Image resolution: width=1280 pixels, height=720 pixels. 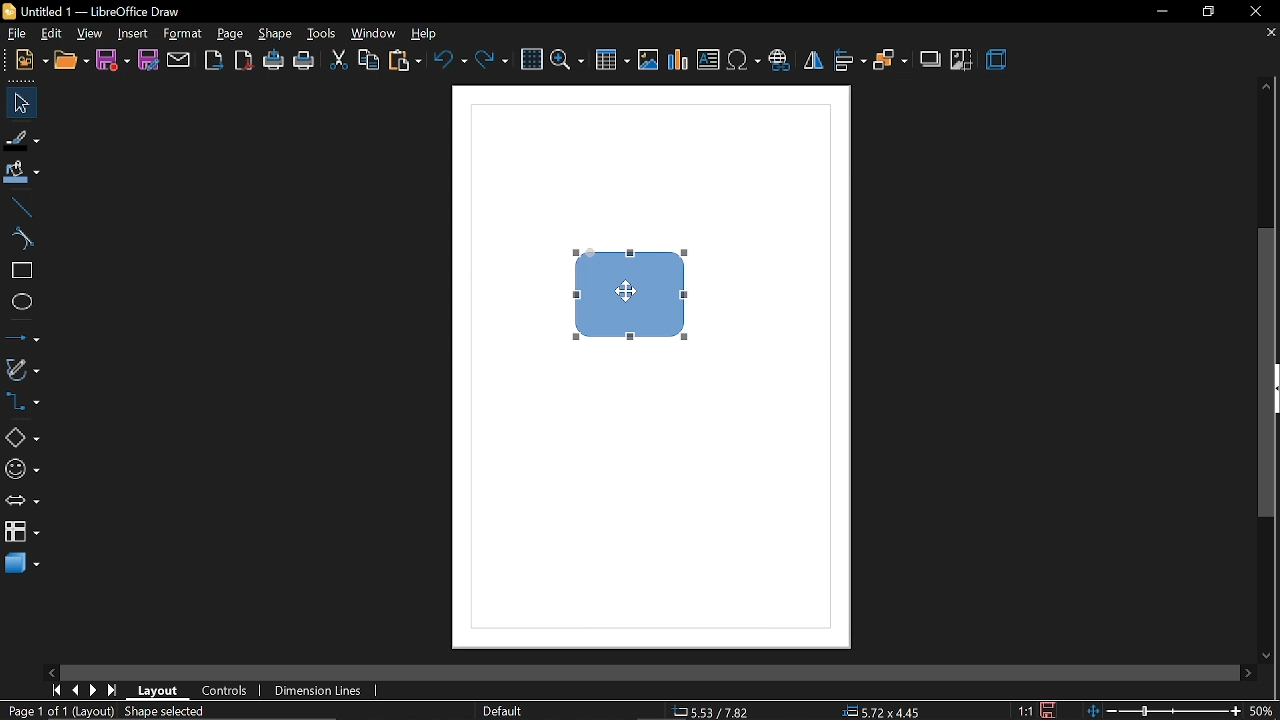 I want to click on paste, so click(x=404, y=62).